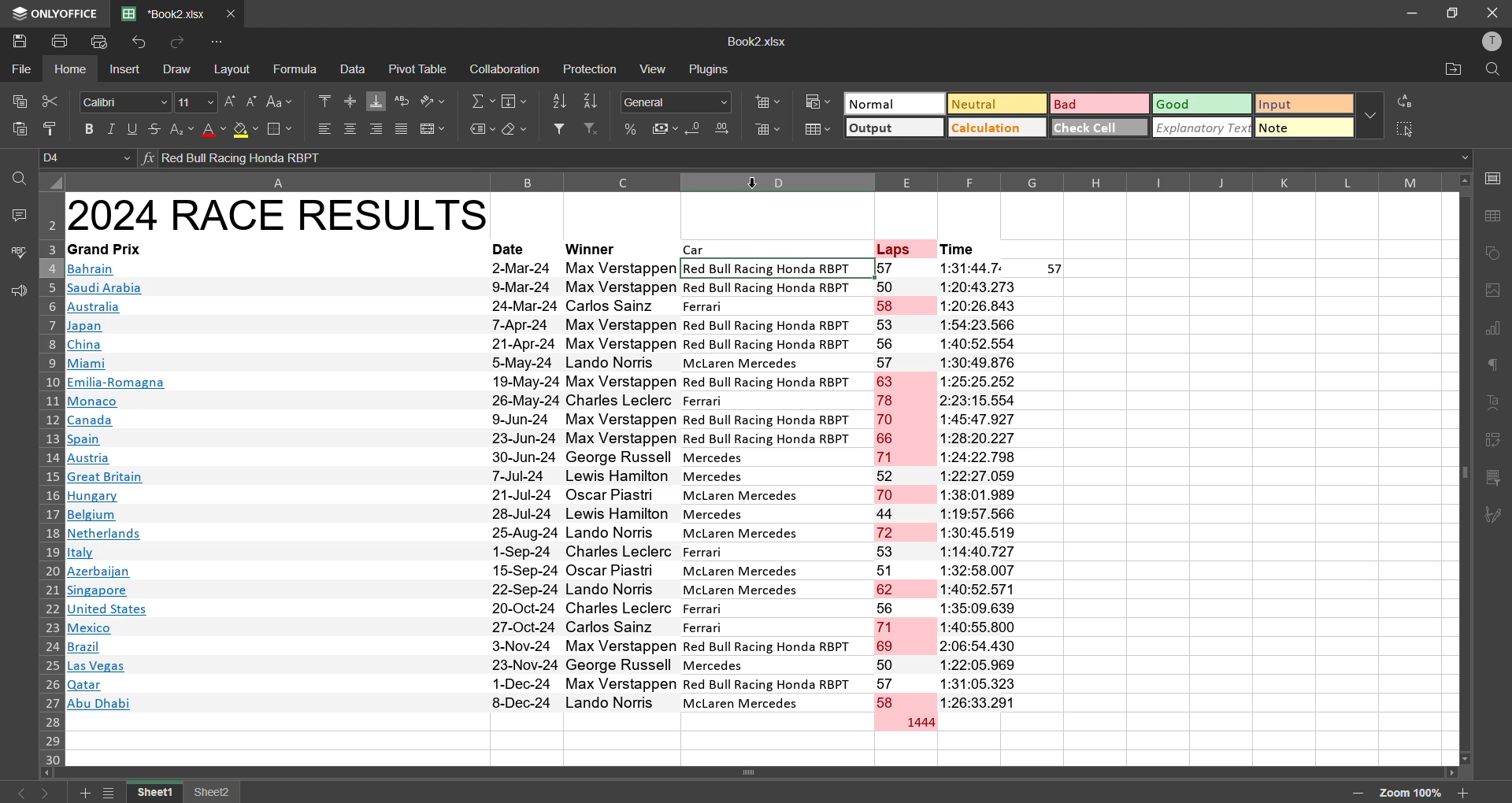  Describe the element at coordinates (91, 129) in the screenshot. I see `bold` at that location.